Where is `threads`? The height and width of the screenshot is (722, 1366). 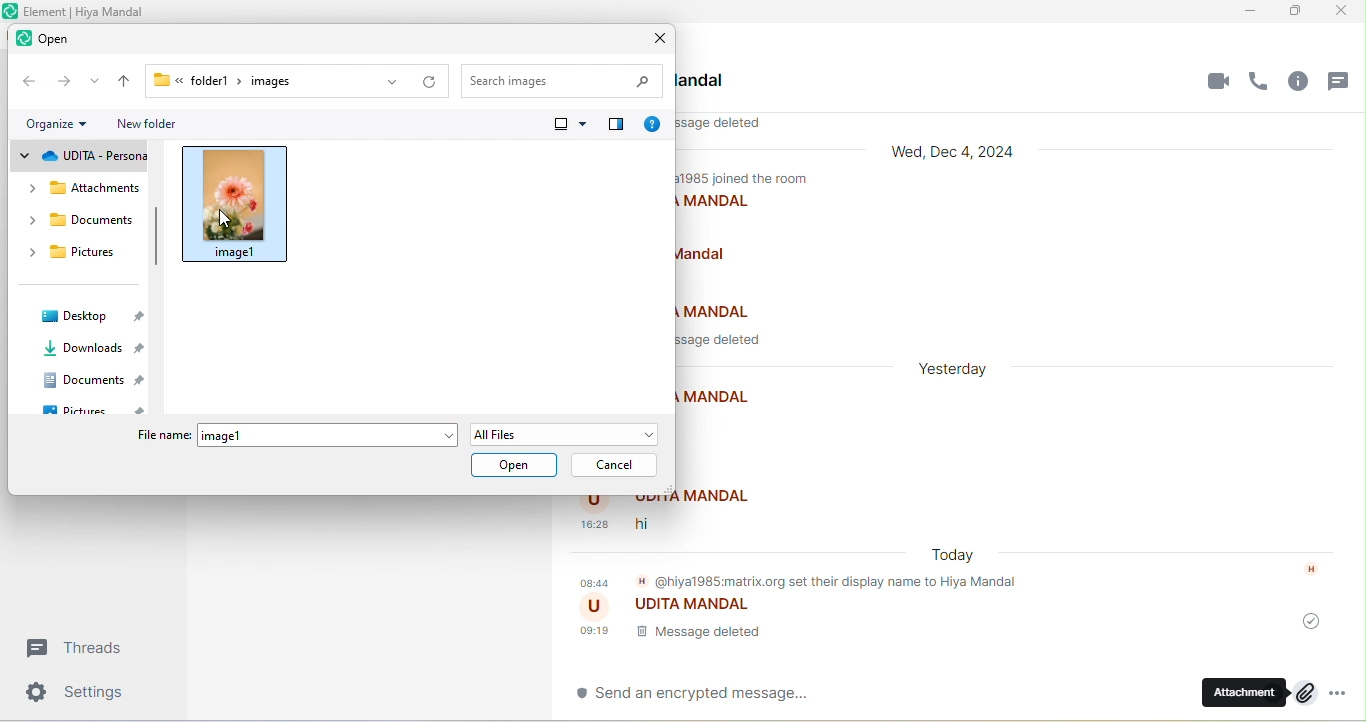 threads is located at coordinates (1344, 84).